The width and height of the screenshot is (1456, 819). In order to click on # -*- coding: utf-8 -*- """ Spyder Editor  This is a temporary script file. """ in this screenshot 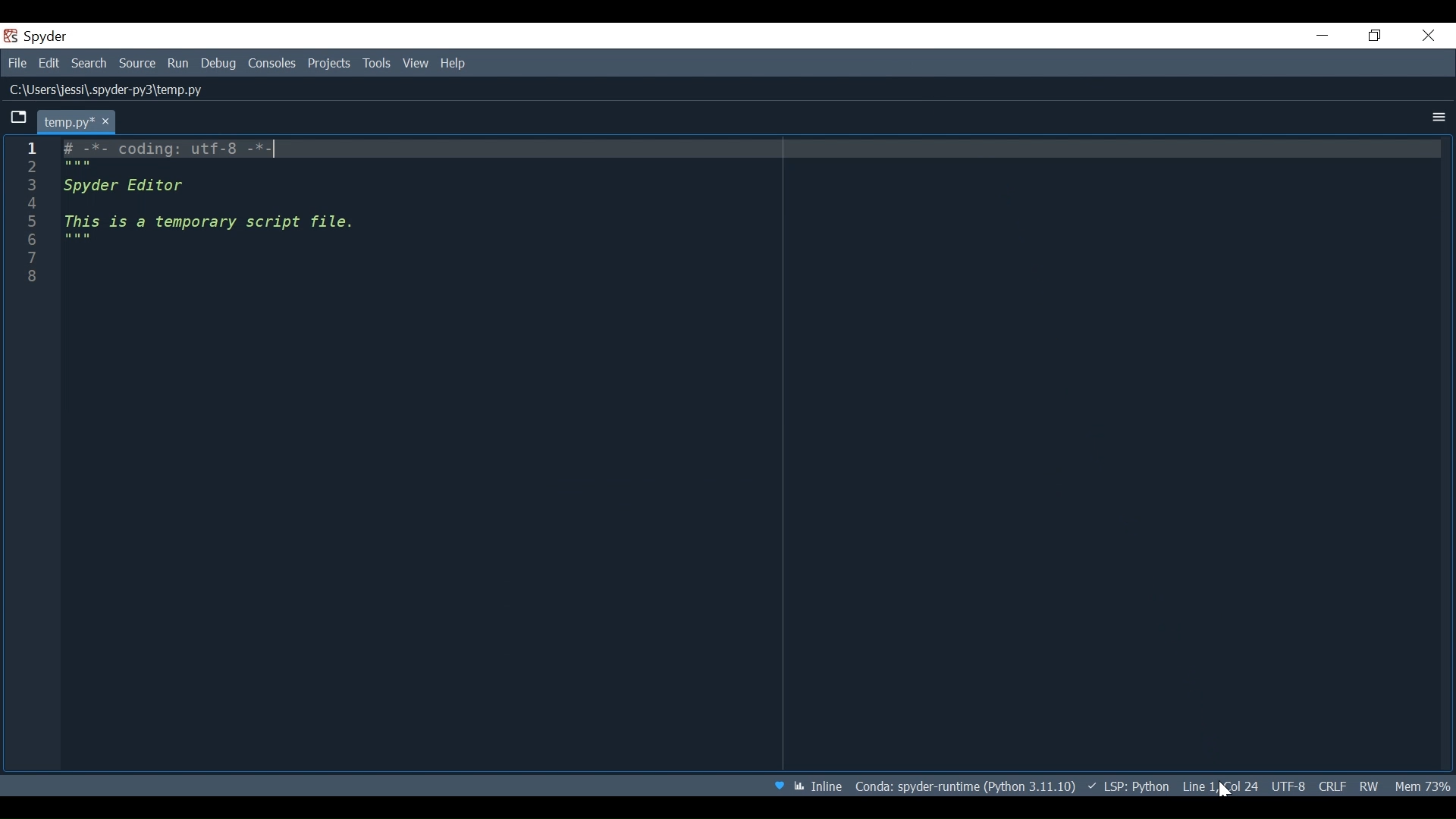, I will do `click(759, 454)`.